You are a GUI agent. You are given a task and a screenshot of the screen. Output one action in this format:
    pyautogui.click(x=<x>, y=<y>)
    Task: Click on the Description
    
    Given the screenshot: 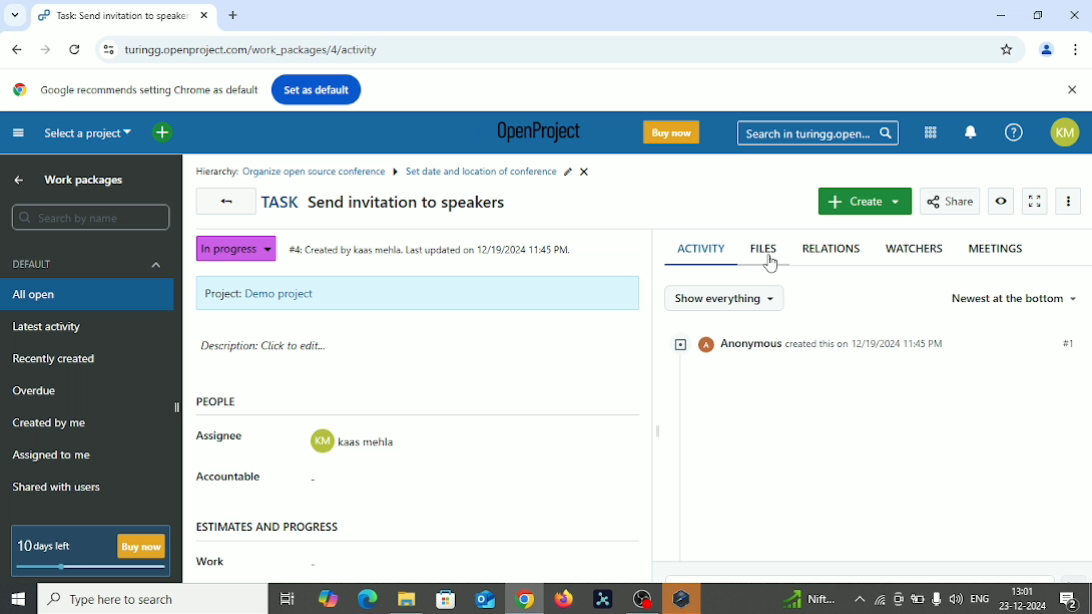 What is the action you would take?
    pyautogui.click(x=266, y=348)
    